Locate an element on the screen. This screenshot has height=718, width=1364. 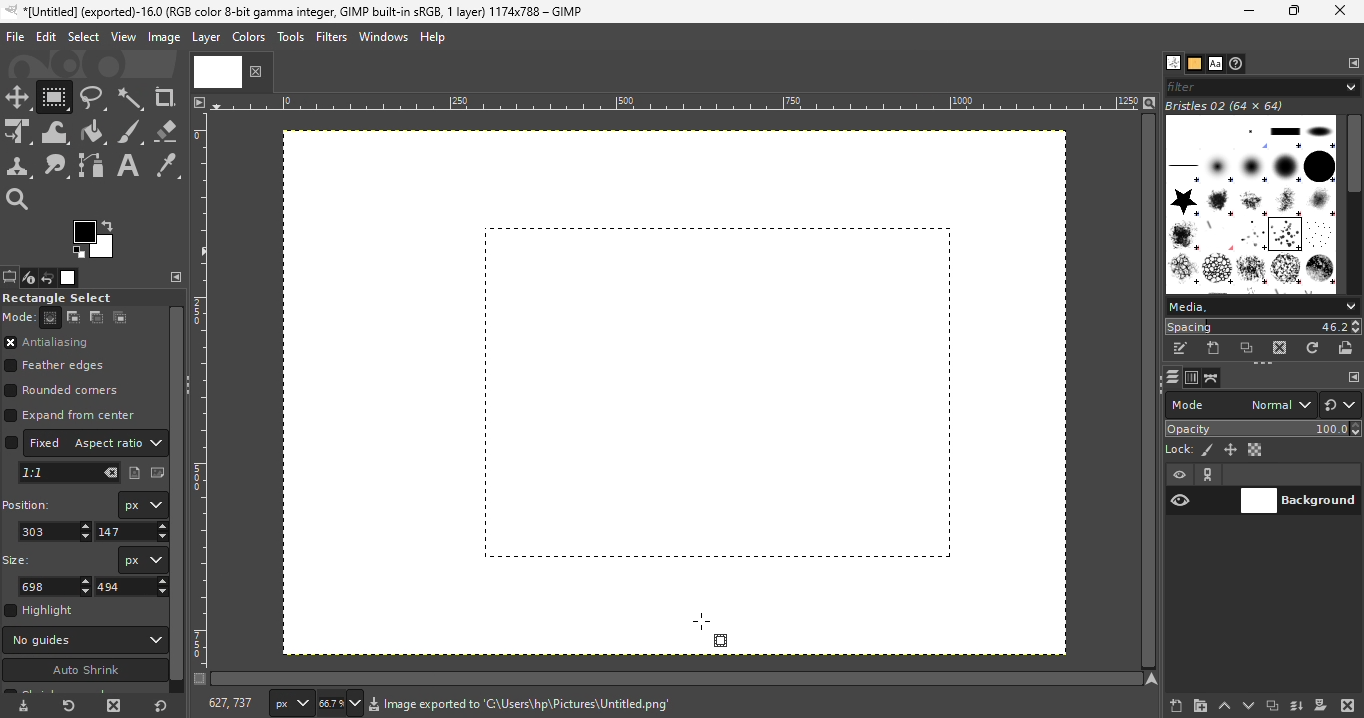
cratee a new layer group is located at coordinates (1199, 705).